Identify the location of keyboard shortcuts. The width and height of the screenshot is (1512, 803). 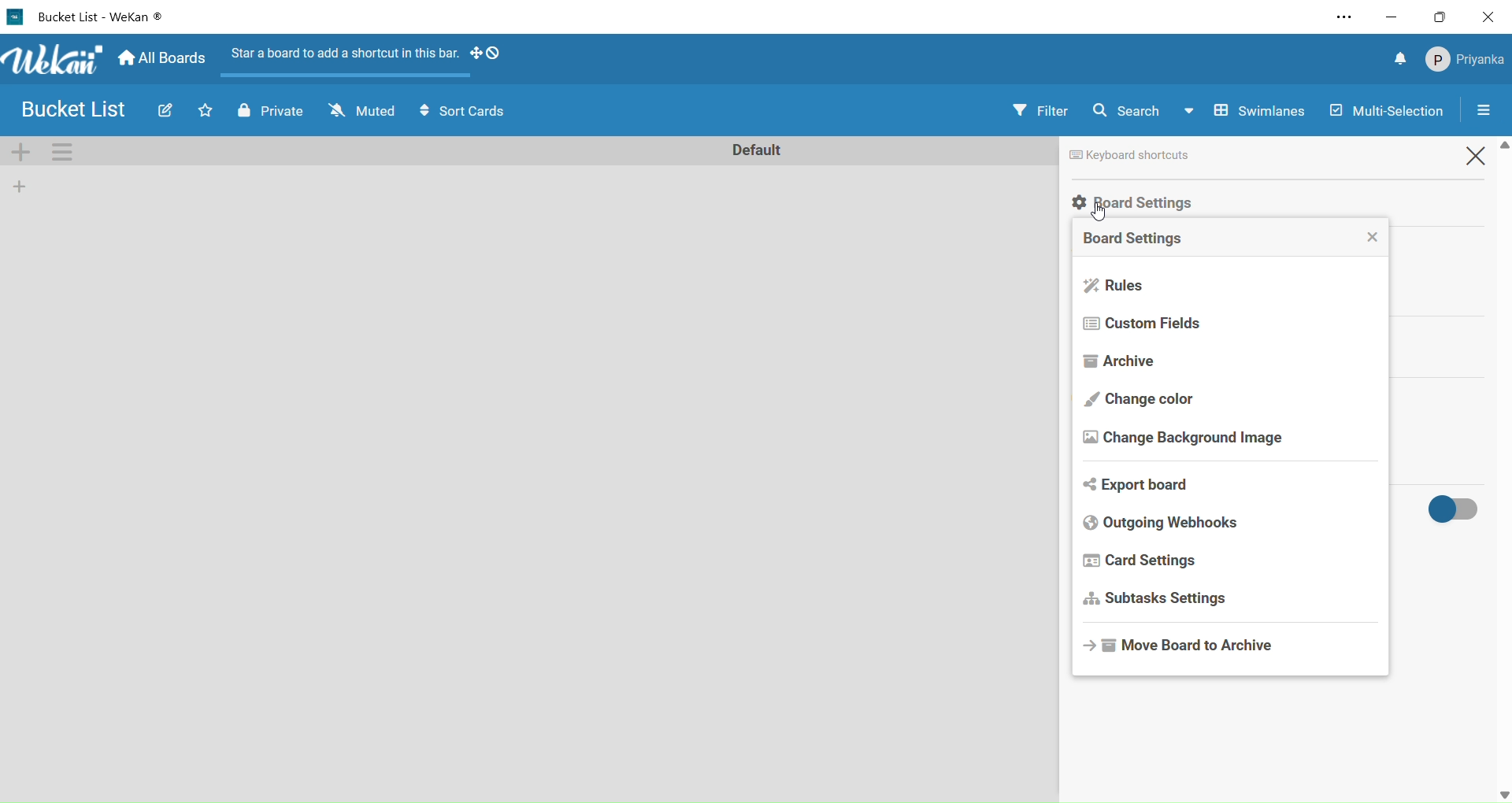
(1140, 155).